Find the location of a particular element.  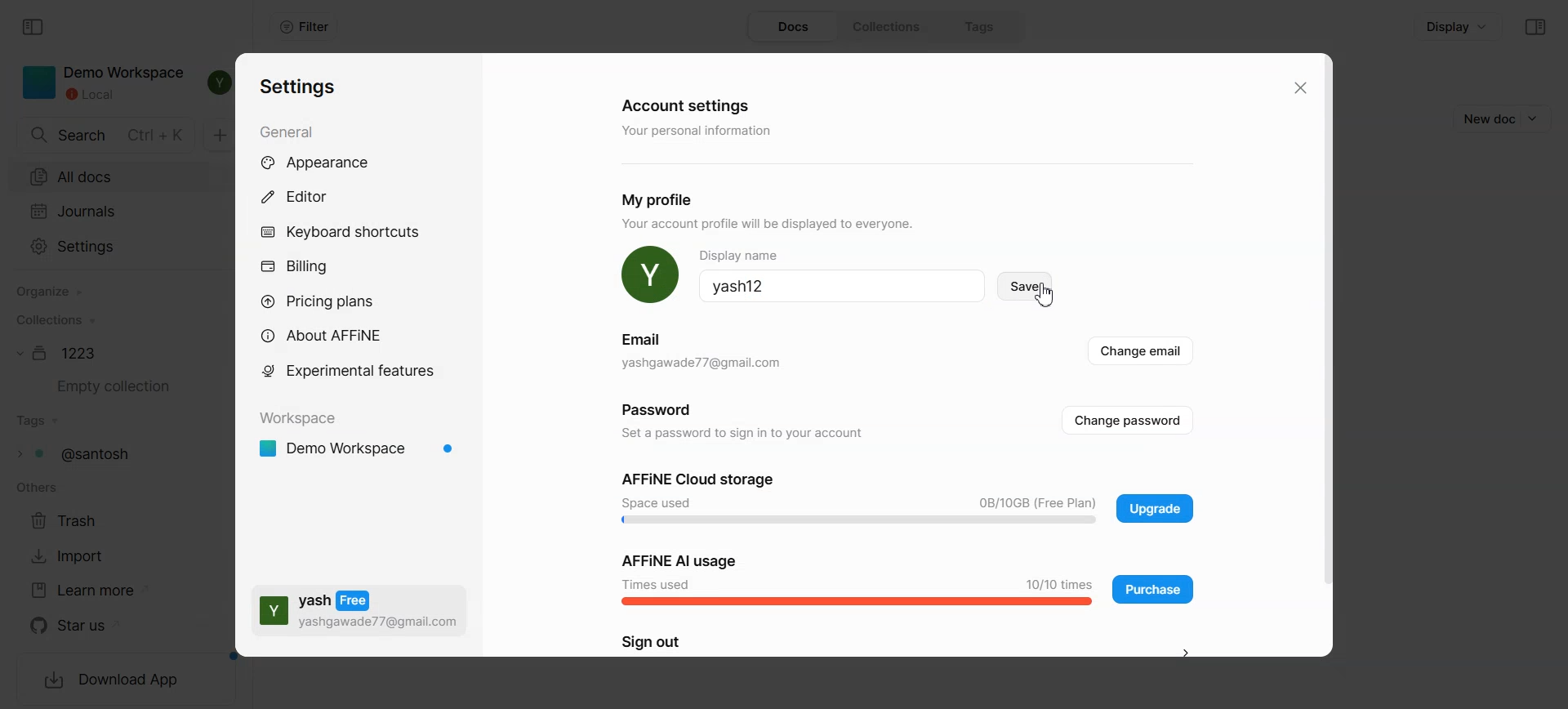

Settings is located at coordinates (108, 247).